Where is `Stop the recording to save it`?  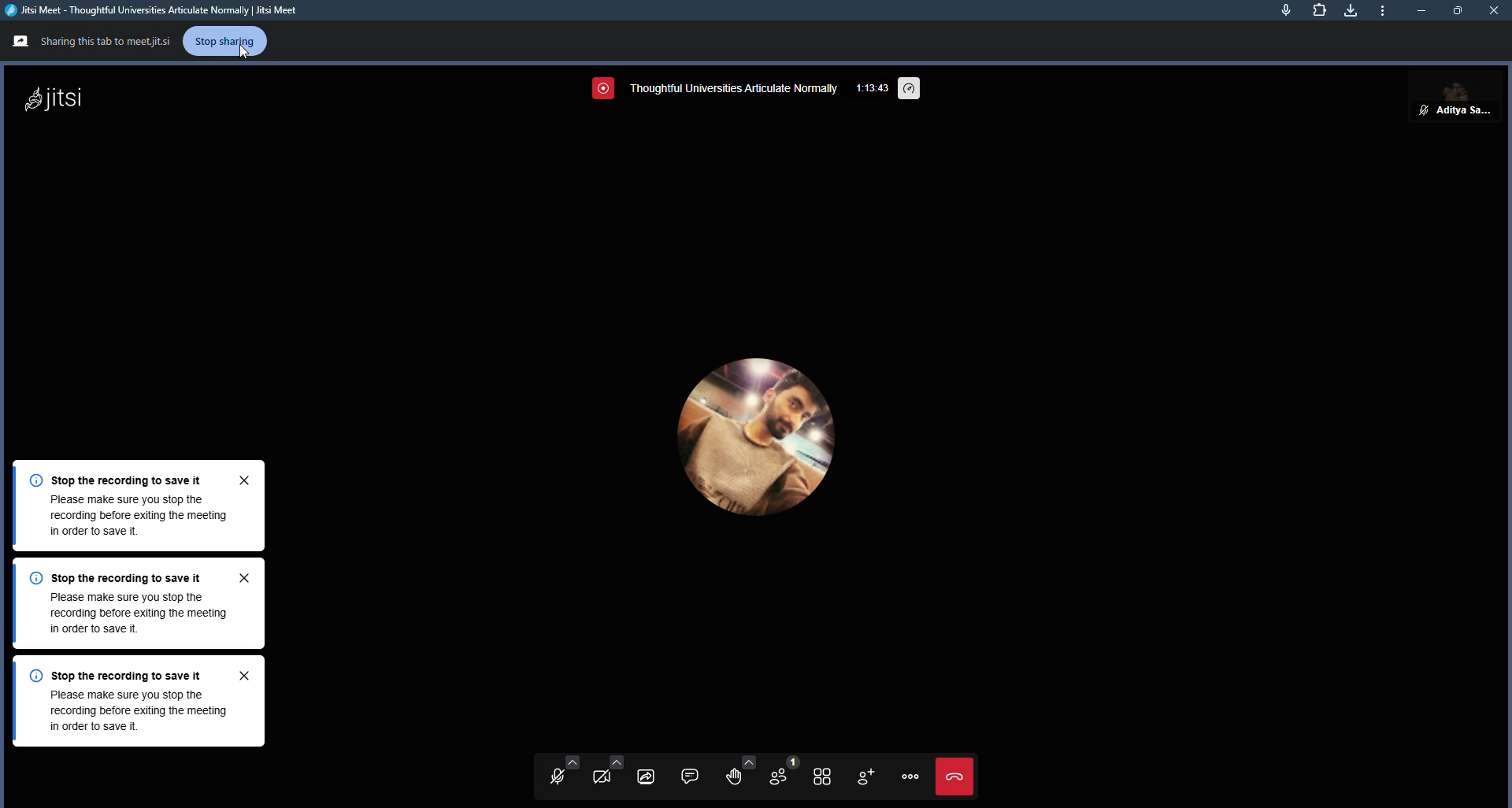
Stop the recording to save it is located at coordinates (128, 476).